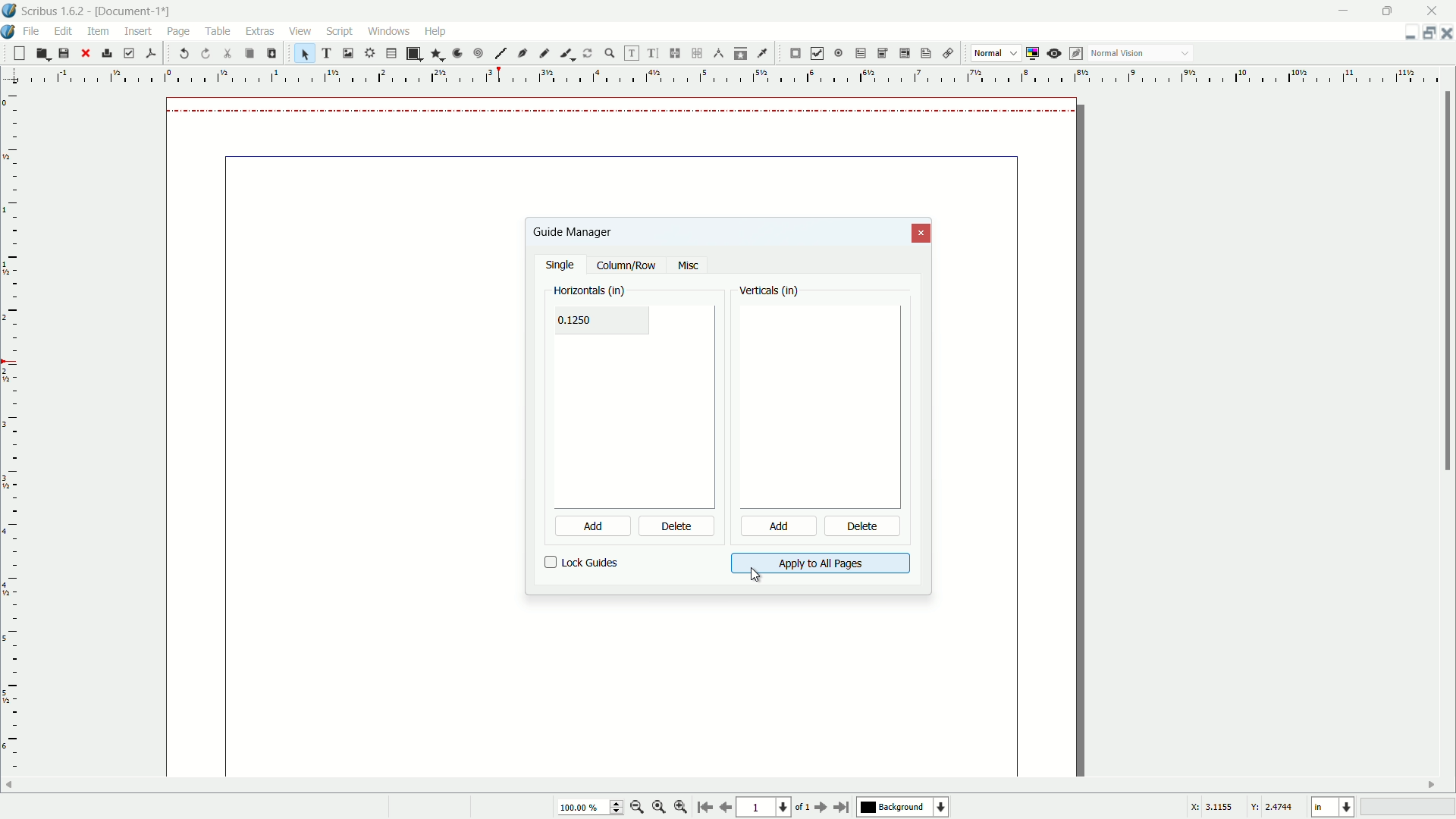  What do you see at coordinates (151, 52) in the screenshot?
I see `save as pdf` at bounding box center [151, 52].